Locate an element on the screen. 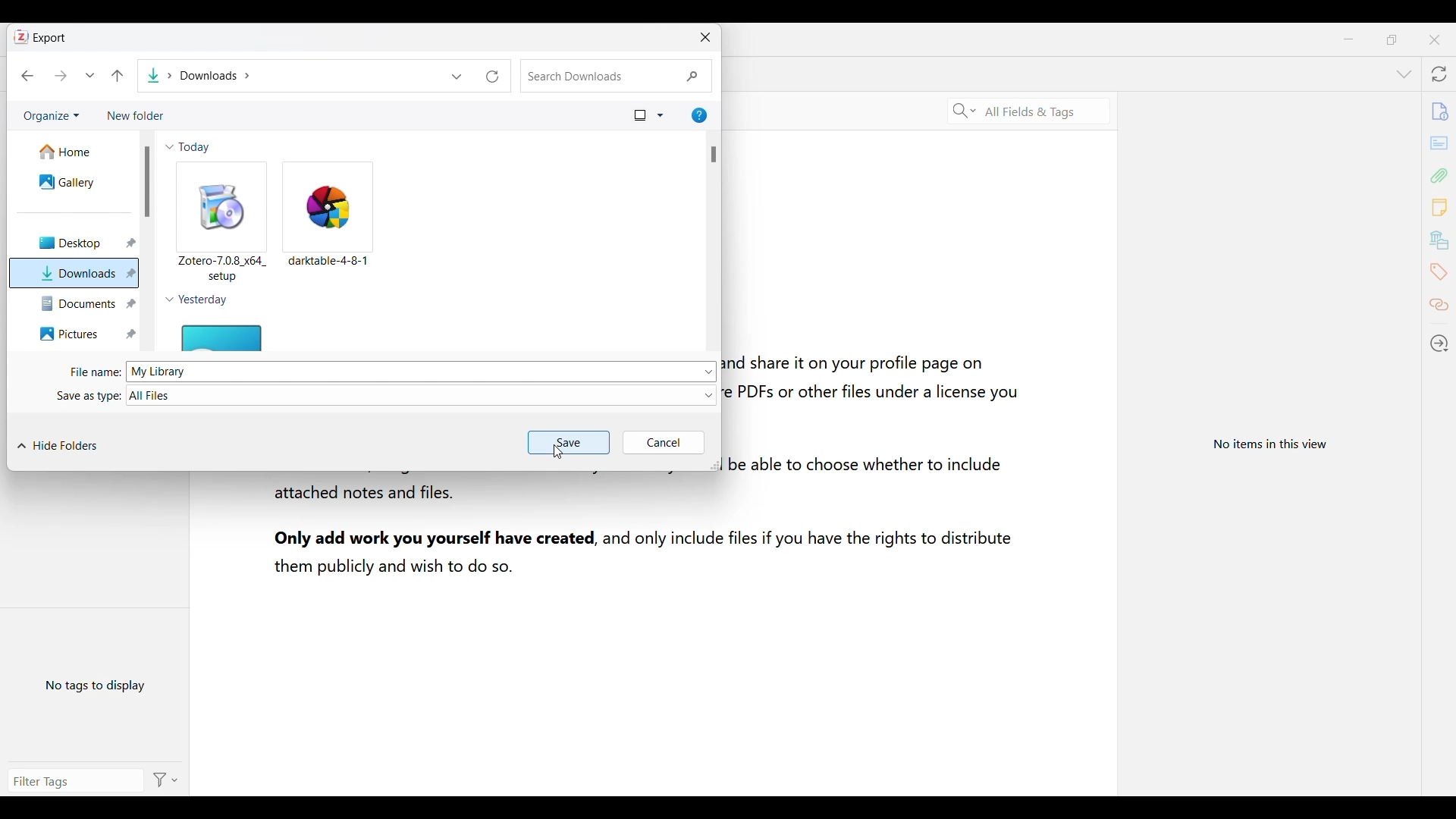 The width and height of the screenshot is (1456, 819). File Name is located at coordinates (93, 372).